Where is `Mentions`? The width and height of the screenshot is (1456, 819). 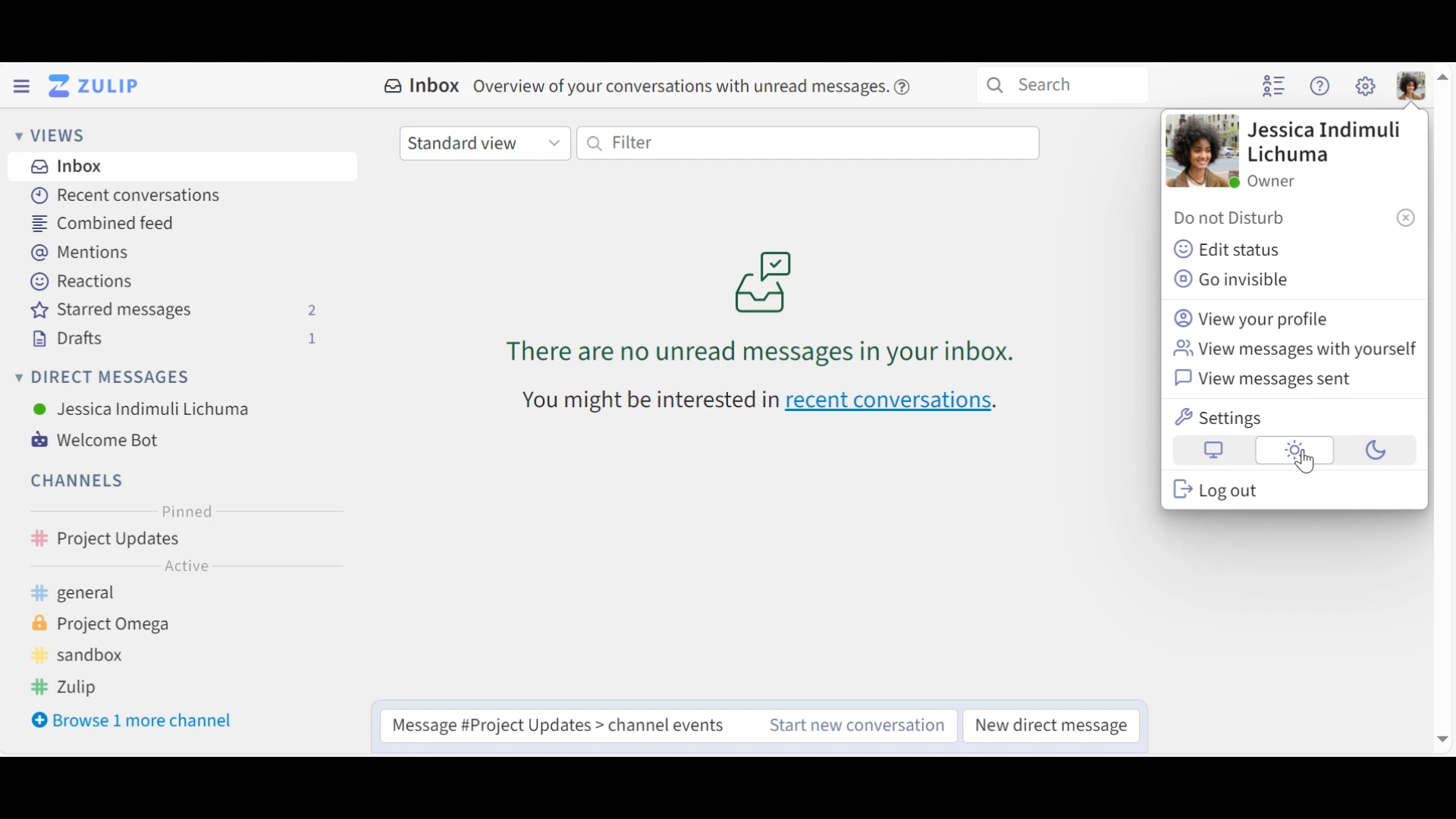
Mentions is located at coordinates (83, 253).